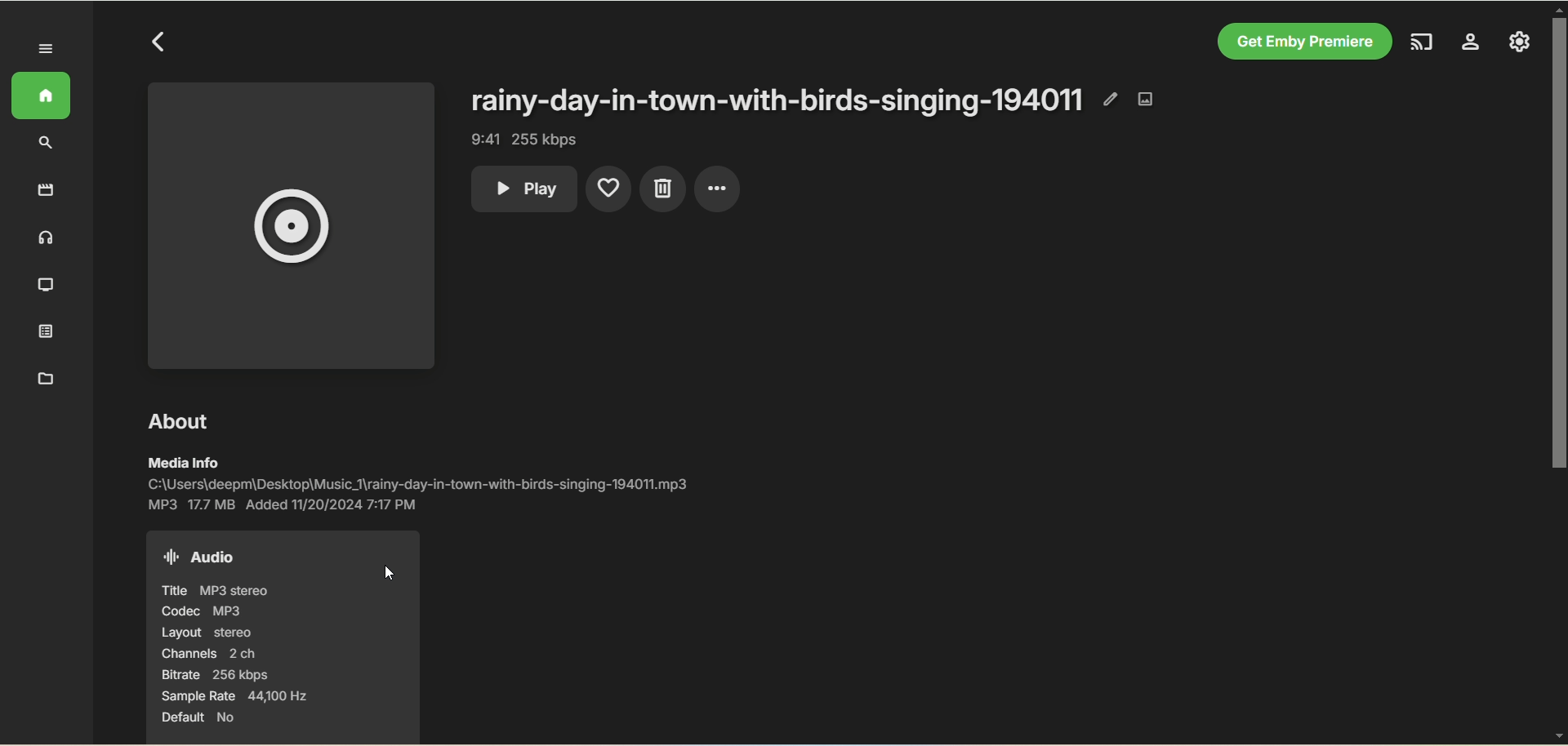  What do you see at coordinates (283, 505) in the screenshot?
I see `MP3 17.7 MB Added 11/20/2024 7:17 PM` at bounding box center [283, 505].